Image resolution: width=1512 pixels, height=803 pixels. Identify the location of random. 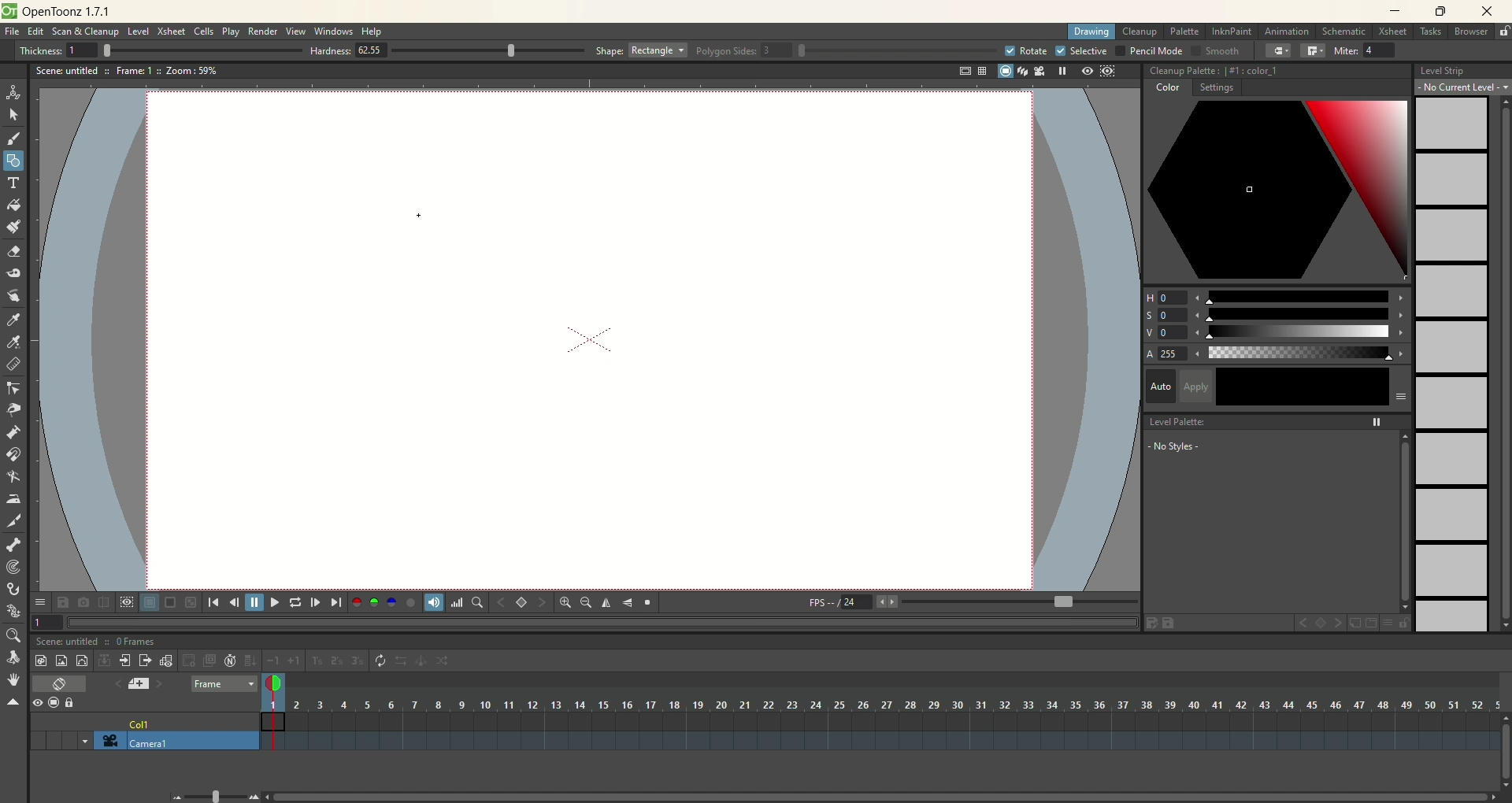
(447, 663).